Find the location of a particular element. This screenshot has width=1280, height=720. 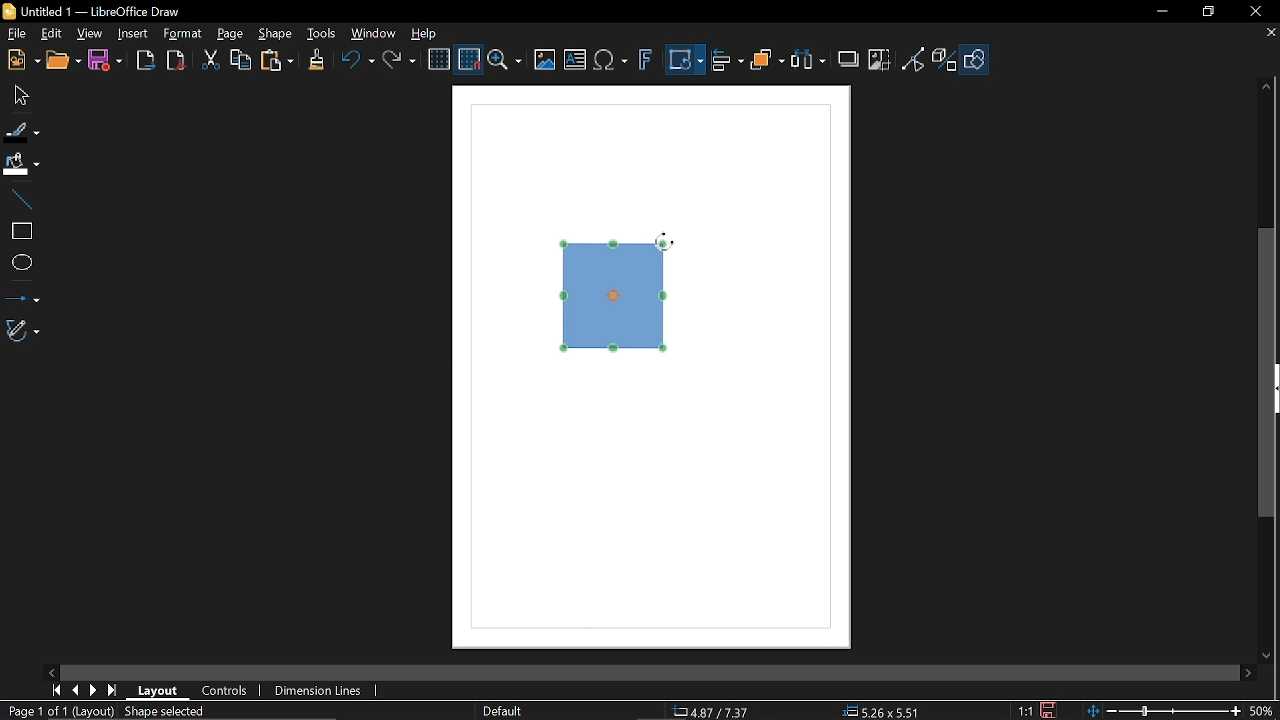

Slide master name is located at coordinates (503, 709).